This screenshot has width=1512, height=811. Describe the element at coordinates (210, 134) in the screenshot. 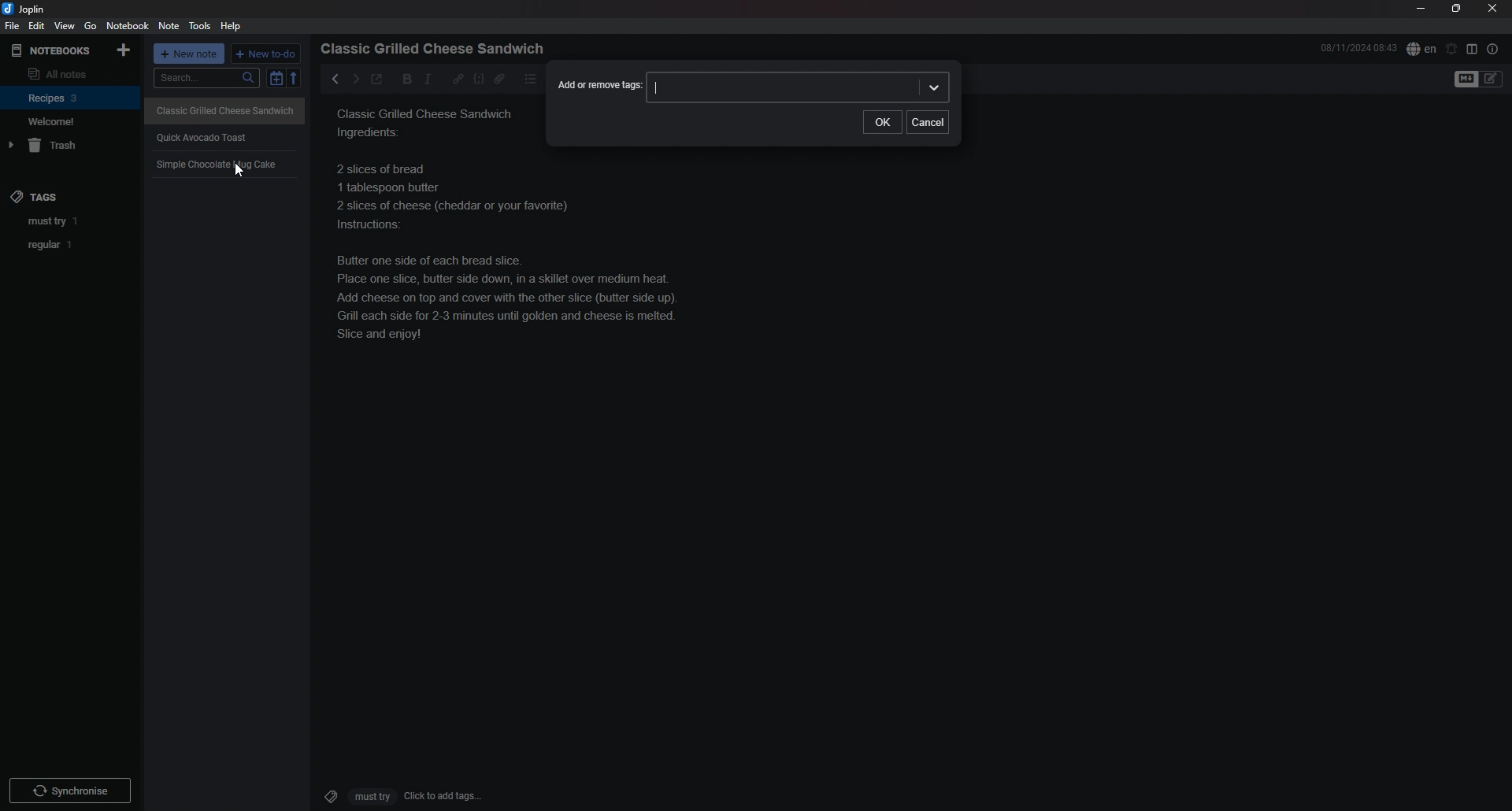

I see `quick avocado toast` at that location.